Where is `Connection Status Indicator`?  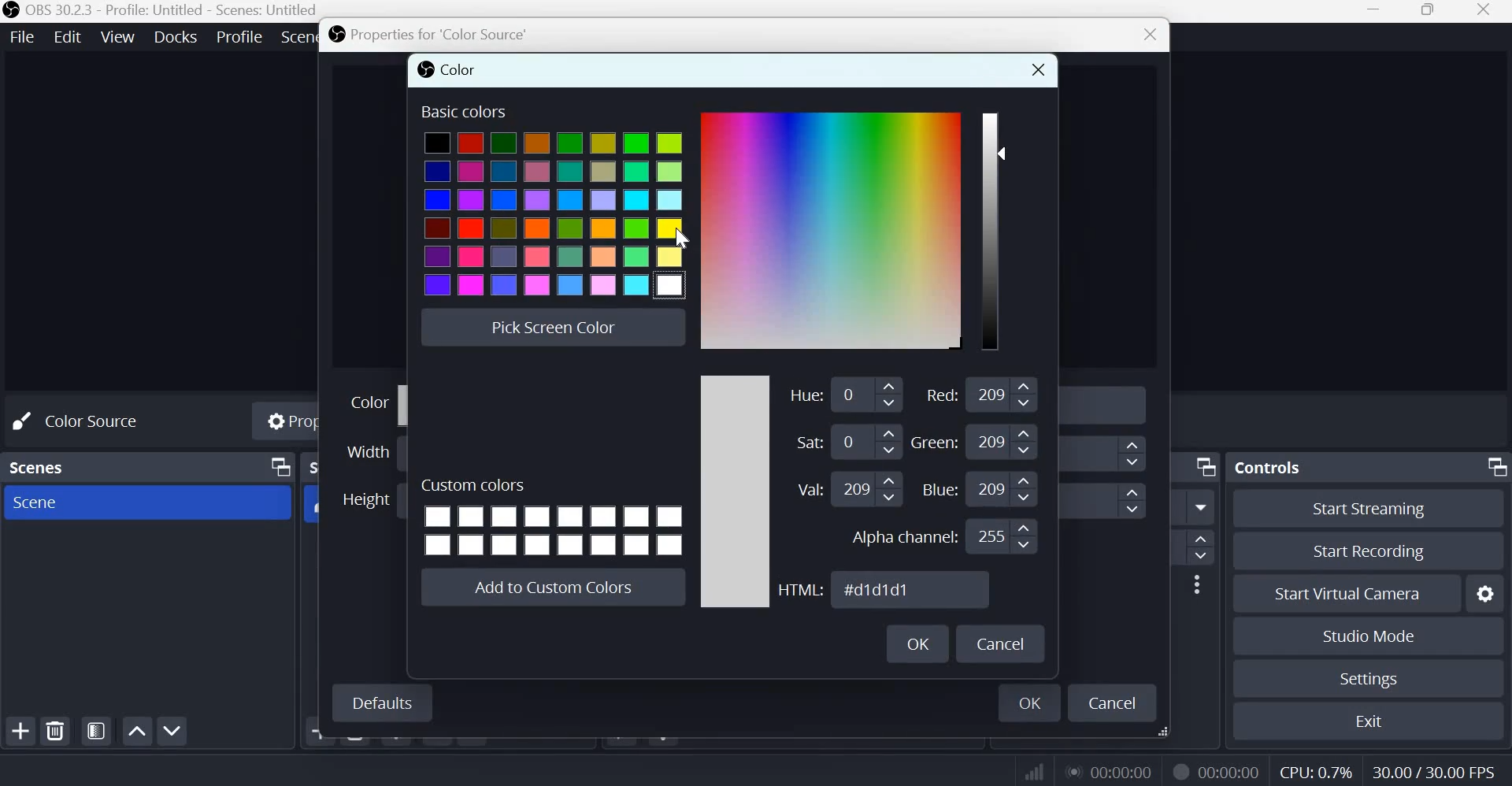 Connection Status Indicator is located at coordinates (1032, 772).